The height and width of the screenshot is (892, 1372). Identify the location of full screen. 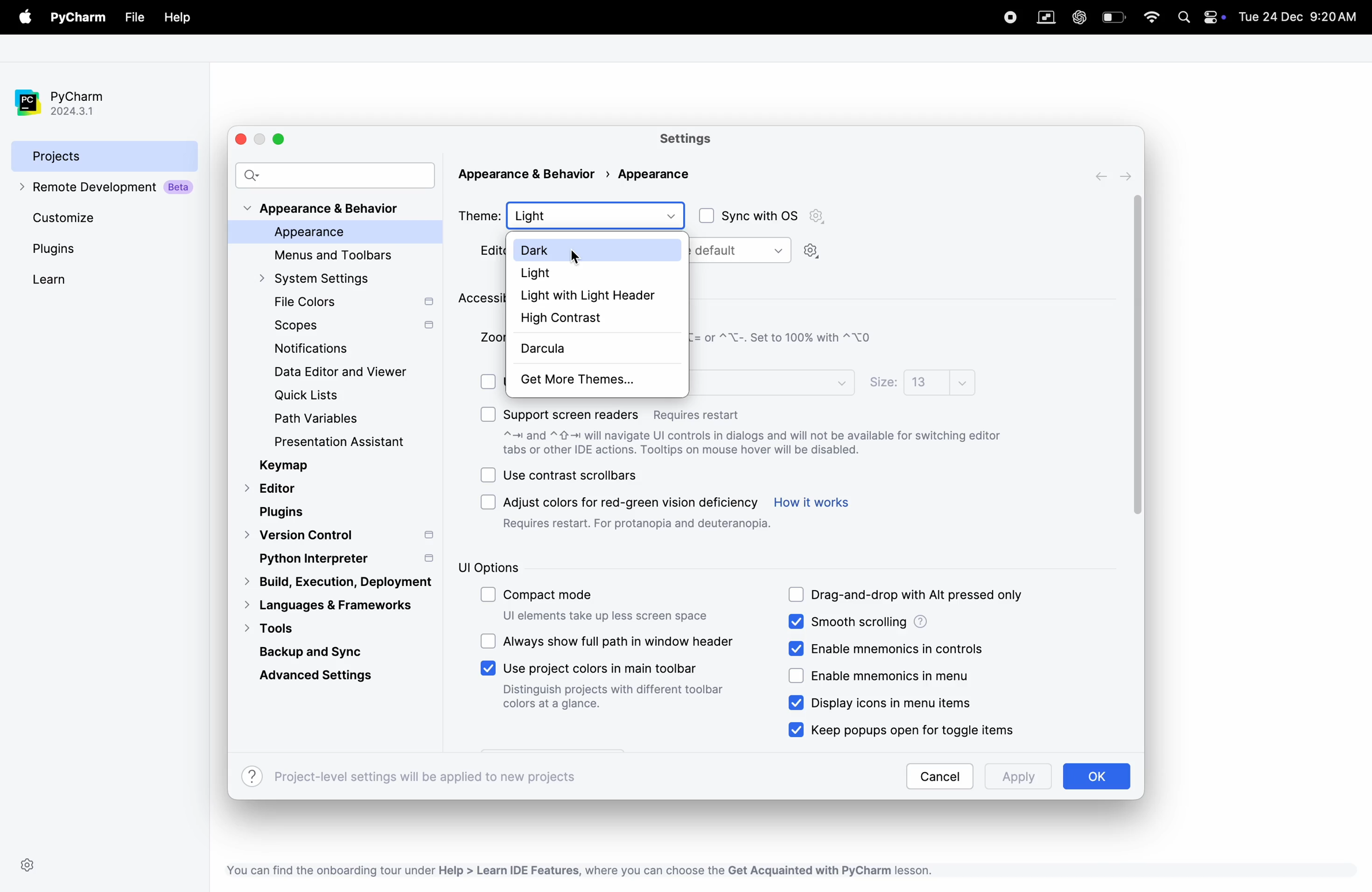
(278, 139).